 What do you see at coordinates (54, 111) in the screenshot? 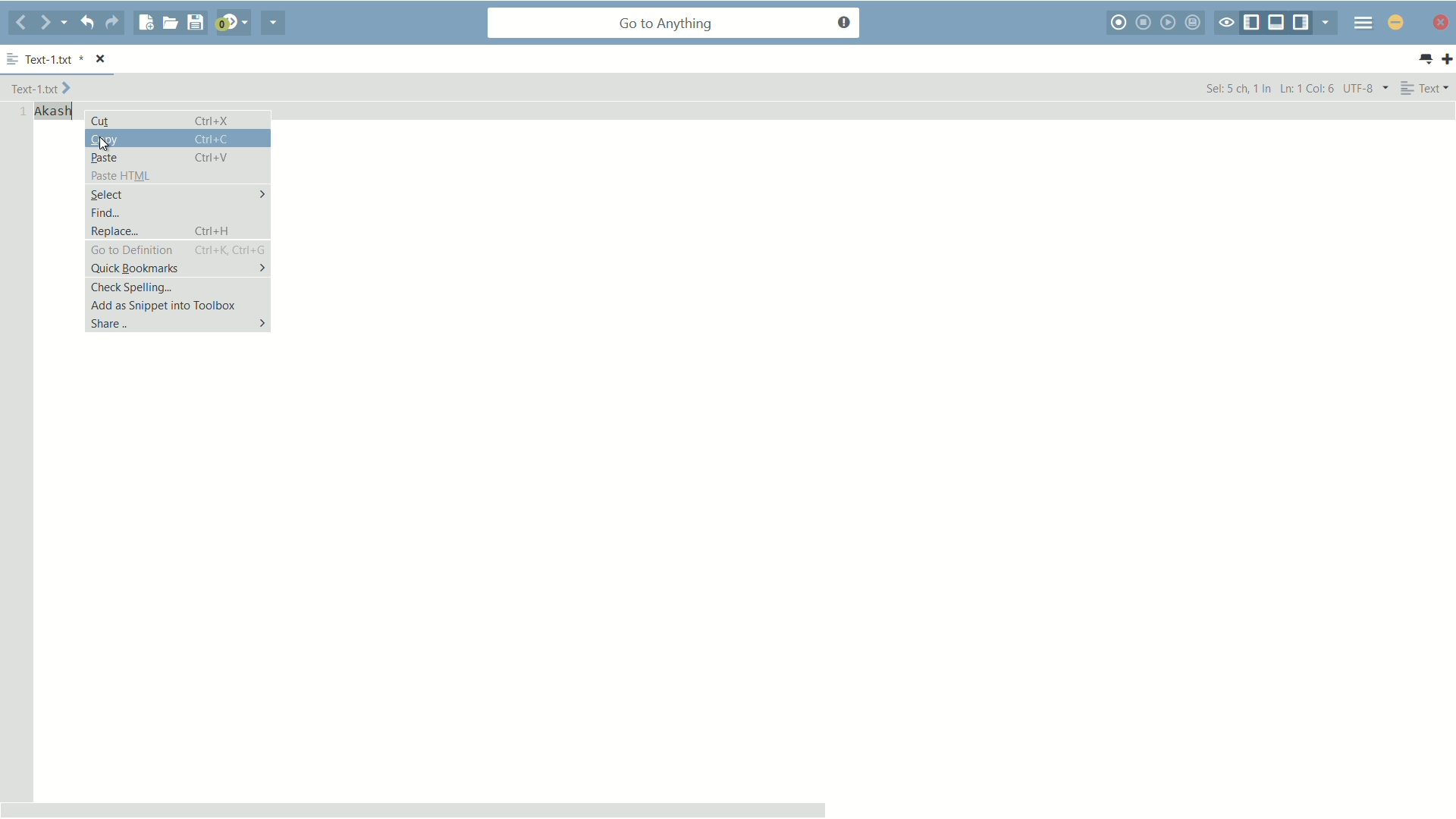
I see `Akash` at bounding box center [54, 111].